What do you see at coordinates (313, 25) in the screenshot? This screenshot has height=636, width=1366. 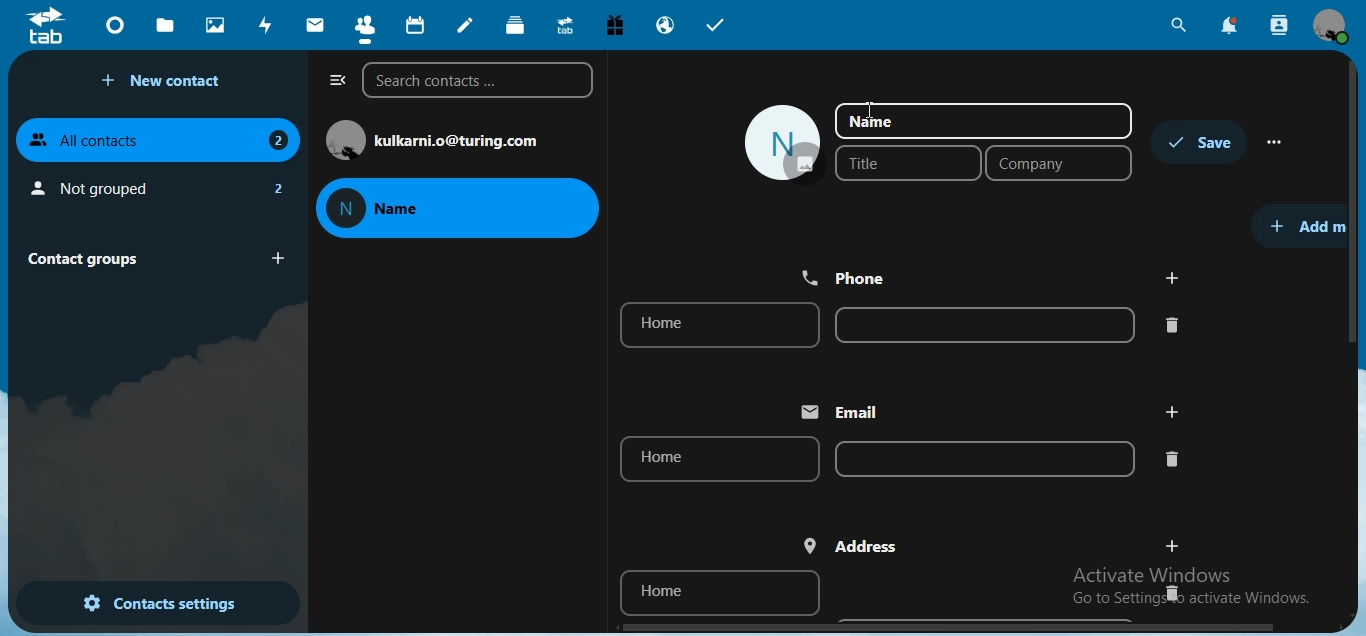 I see `mail` at bounding box center [313, 25].